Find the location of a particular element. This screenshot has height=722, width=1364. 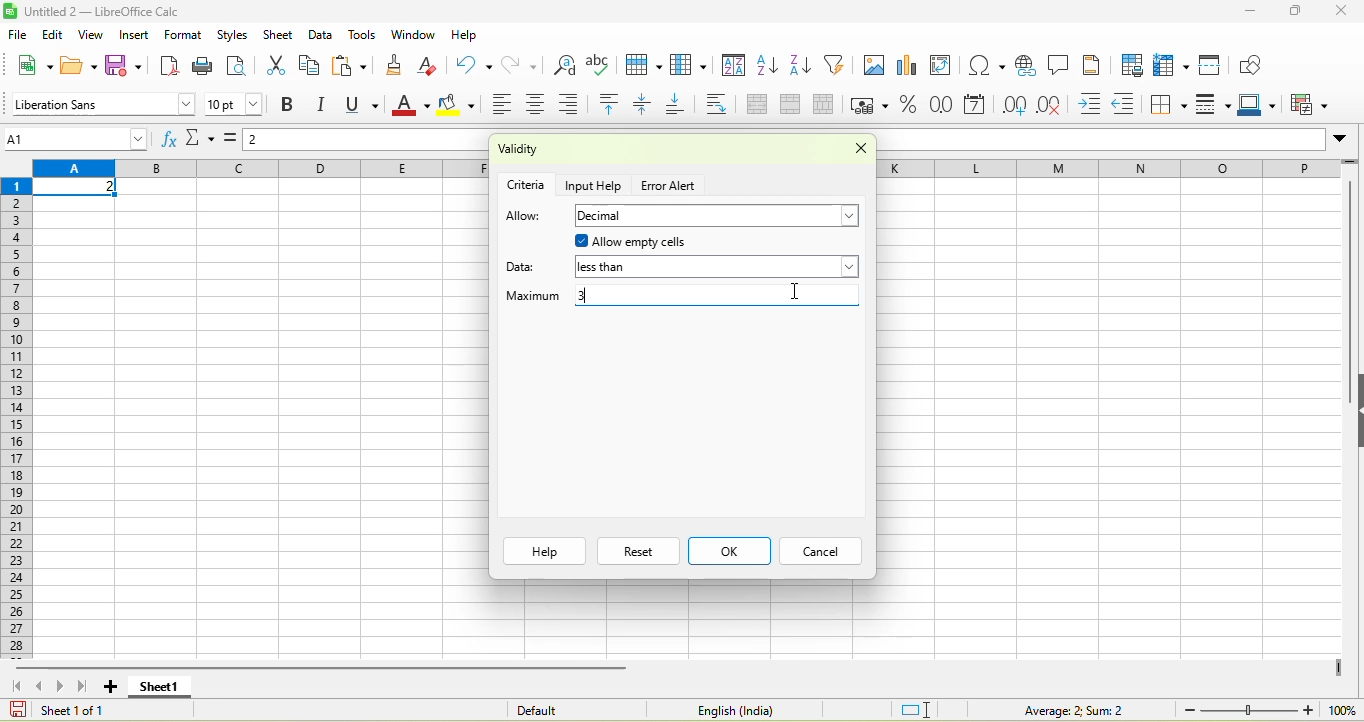

align left is located at coordinates (500, 106).